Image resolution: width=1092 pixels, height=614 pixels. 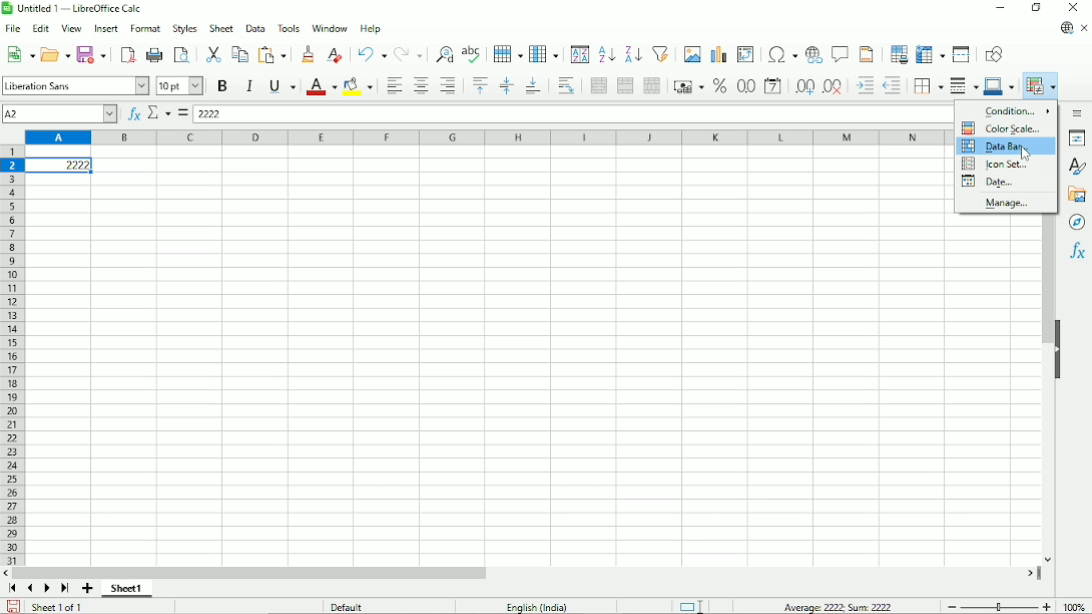 I want to click on Update available, so click(x=1065, y=29).